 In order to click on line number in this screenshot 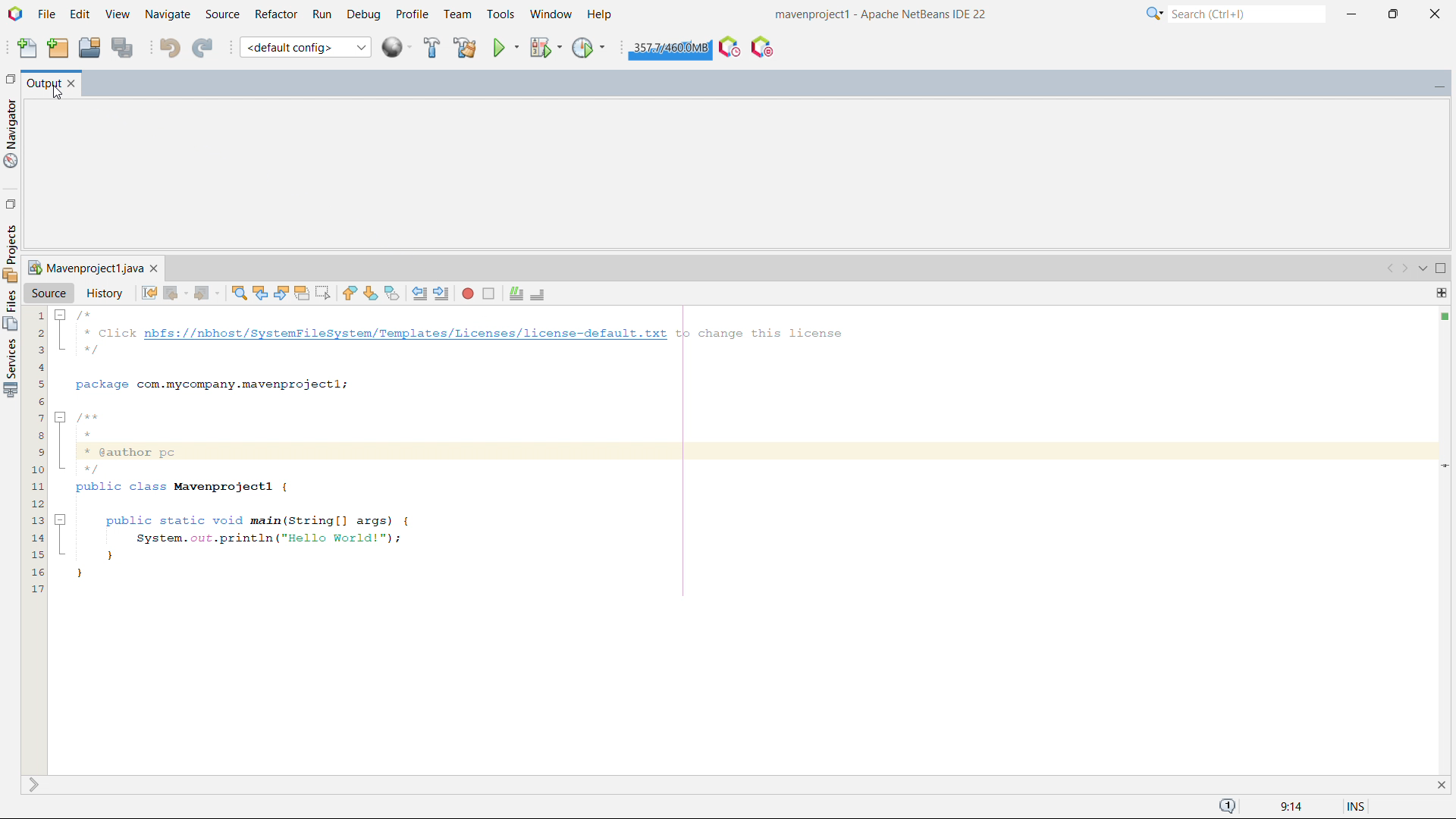, I will do `click(33, 540)`.